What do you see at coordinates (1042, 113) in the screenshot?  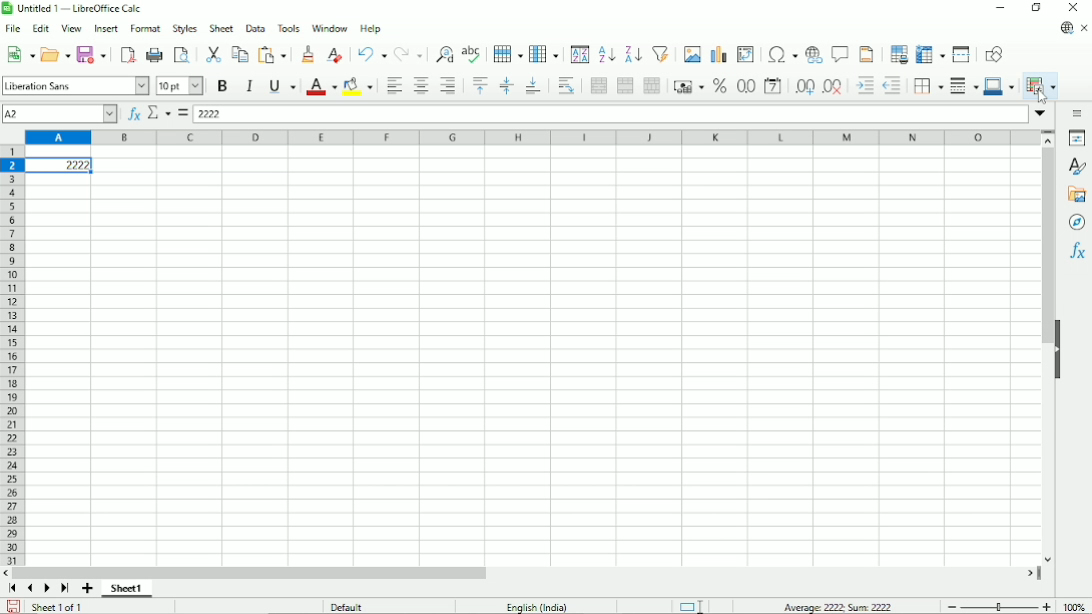 I see `Expand formula bar` at bounding box center [1042, 113].